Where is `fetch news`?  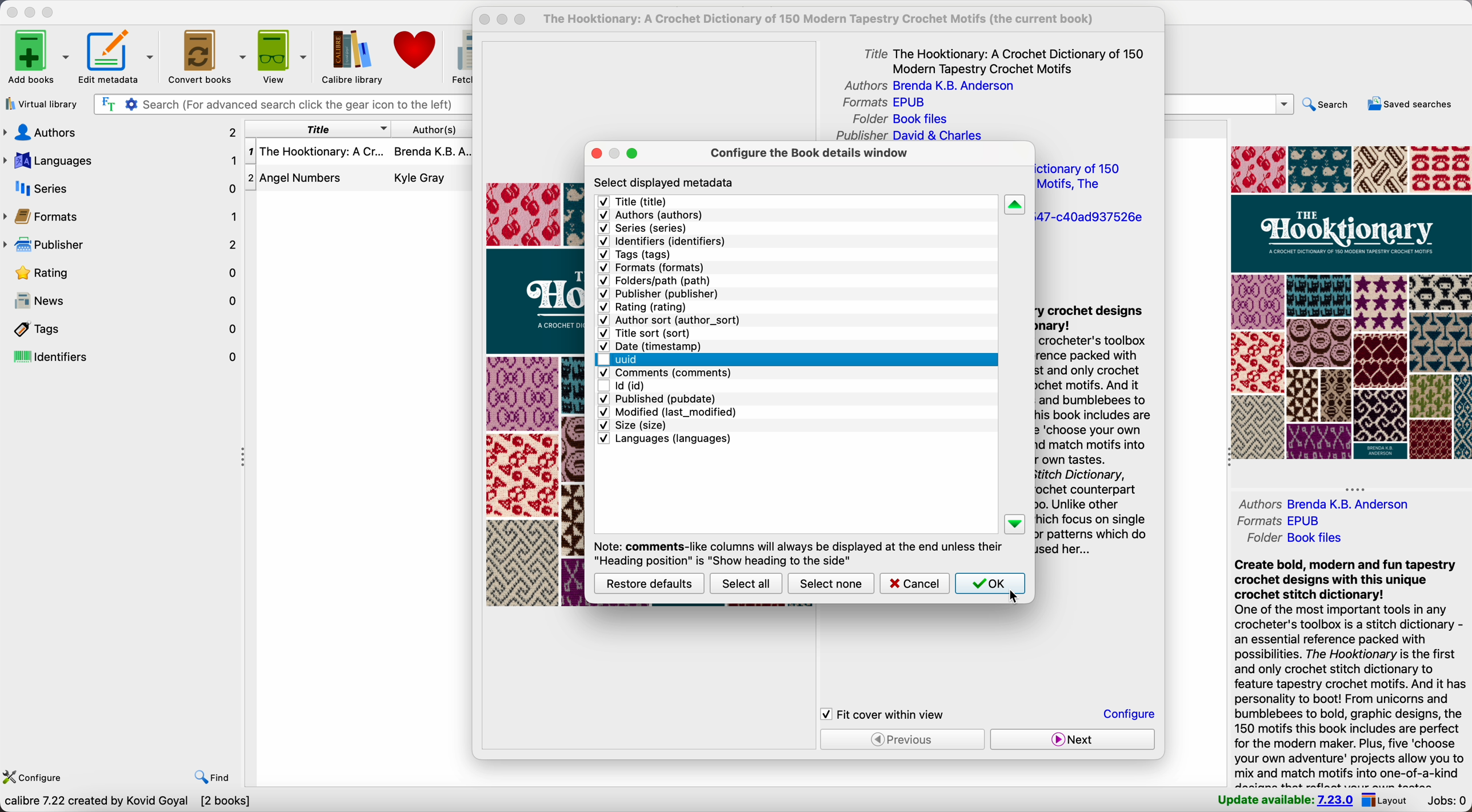 fetch news is located at coordinates (459, 55).